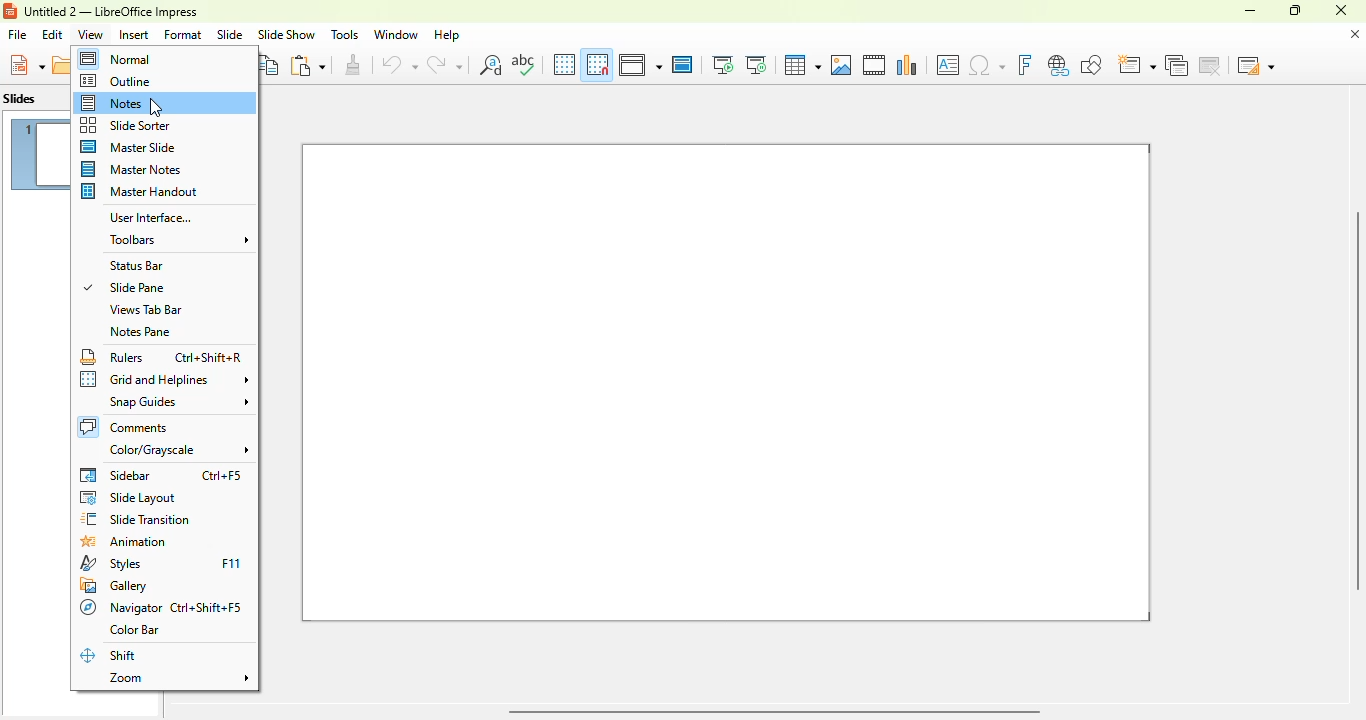 The image size is (1366, 720). What do you see at coordinates (986, 65) in the screenshot?
I see `insert special characters` at bounding box center [986, 65].